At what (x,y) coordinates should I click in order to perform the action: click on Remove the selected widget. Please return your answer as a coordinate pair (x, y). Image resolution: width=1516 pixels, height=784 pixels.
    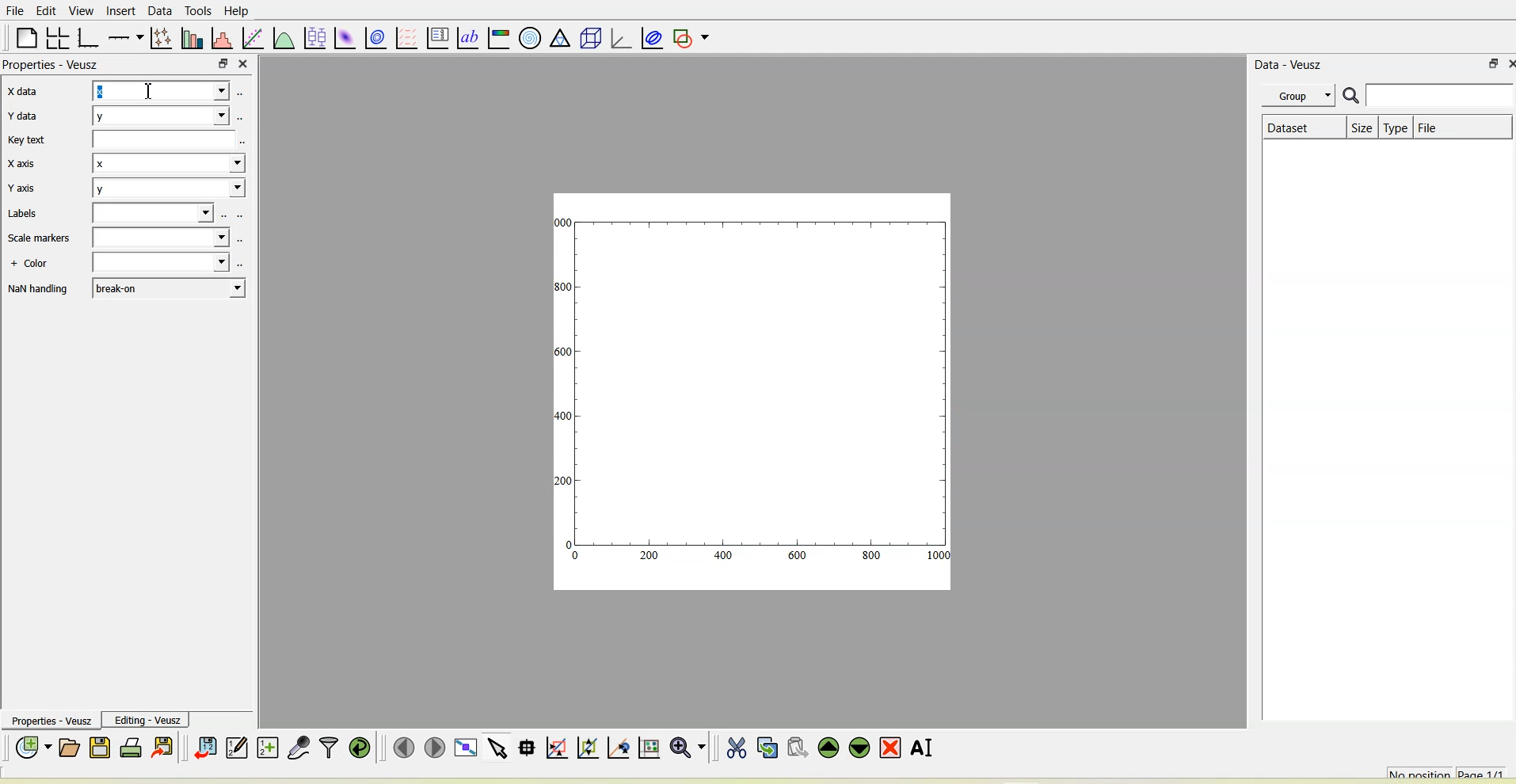
    Looking at the image, I should click on (889, 748).